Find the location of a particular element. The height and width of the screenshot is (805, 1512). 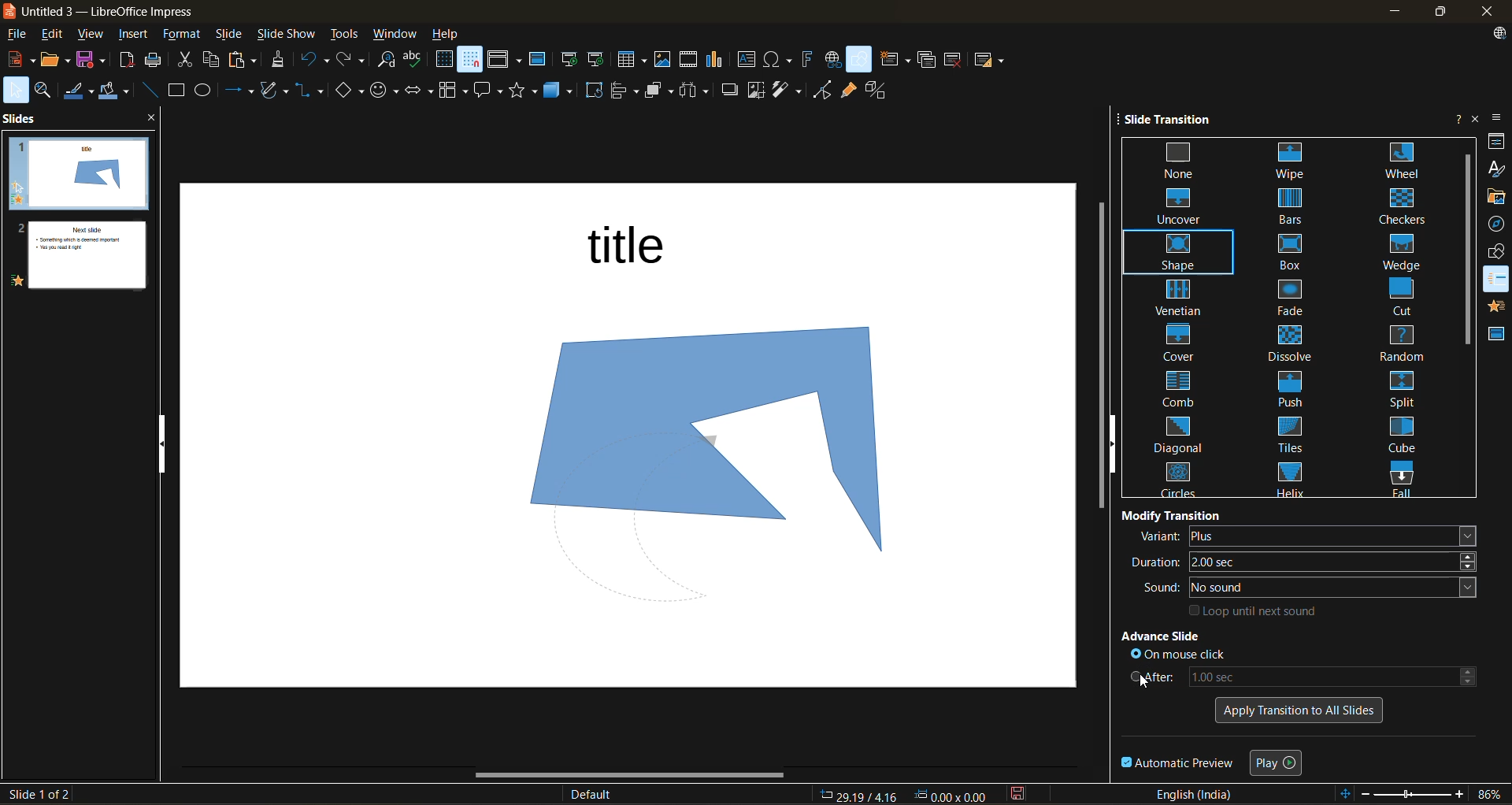

duration is located at coordinates (1307, 562).